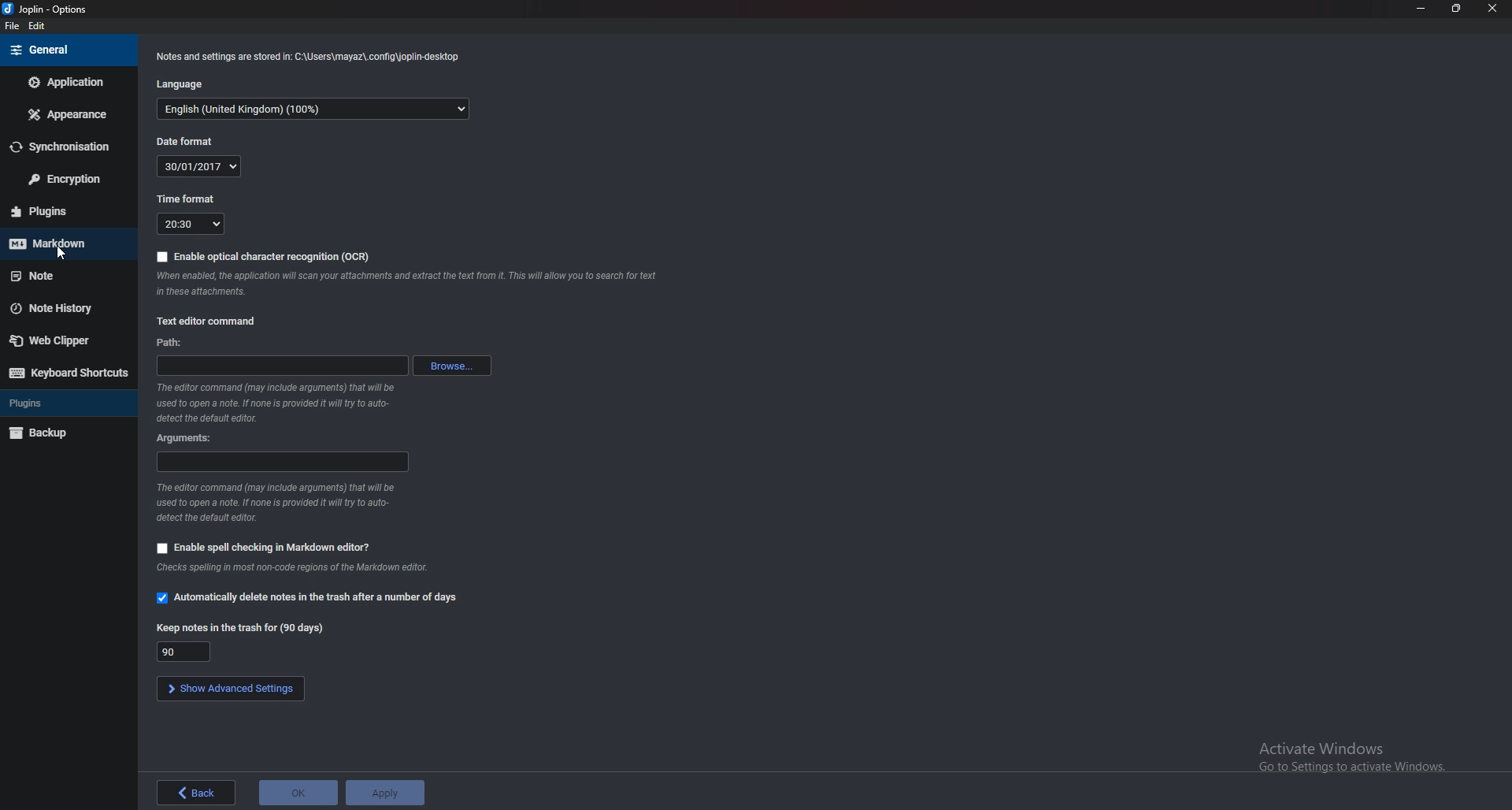 The height and width of the screenshot is (810, 1512). I want to click on Info, so click(302, 567).